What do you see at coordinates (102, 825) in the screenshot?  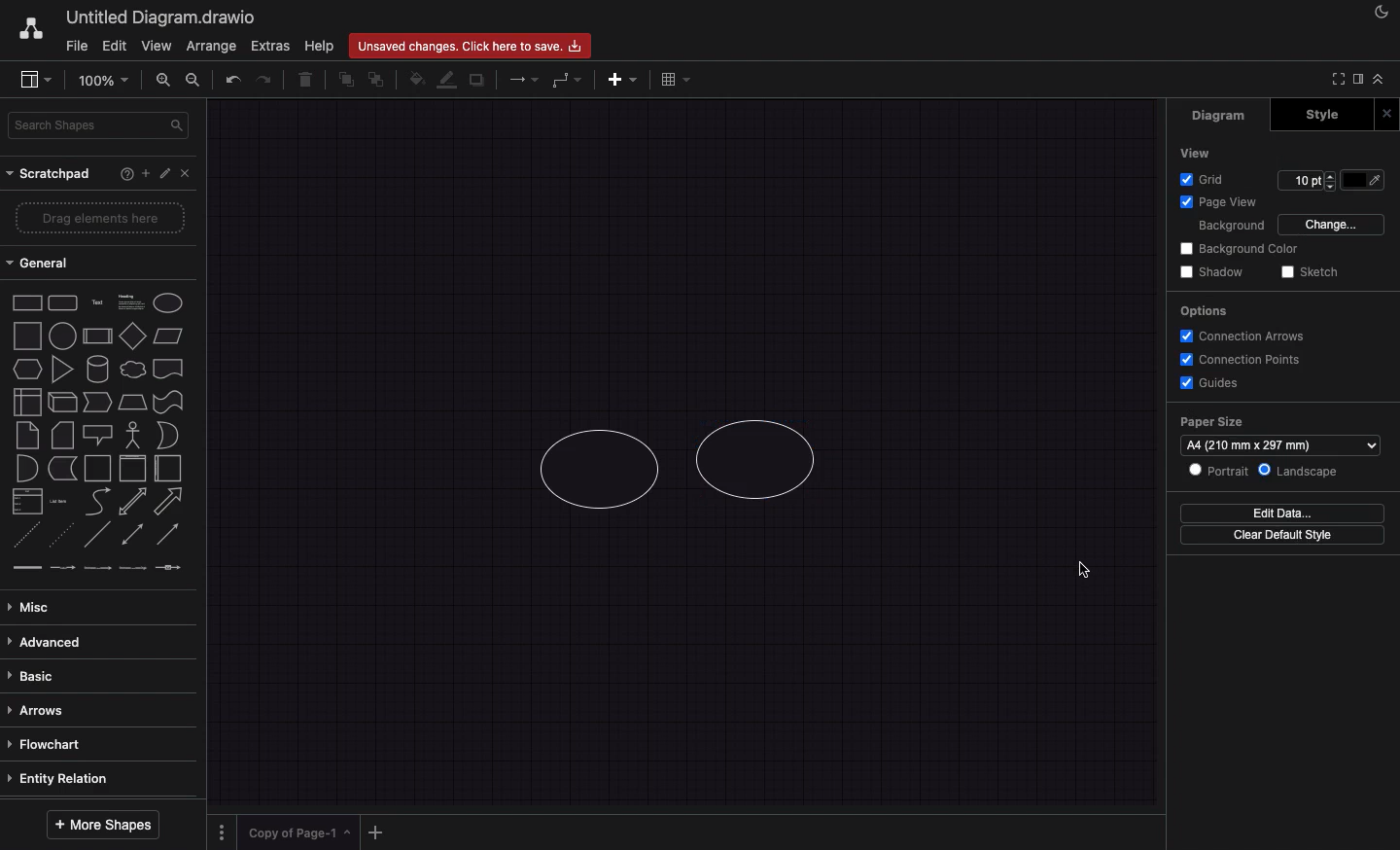 I see `more shapes` at bounding box center [102, 825].